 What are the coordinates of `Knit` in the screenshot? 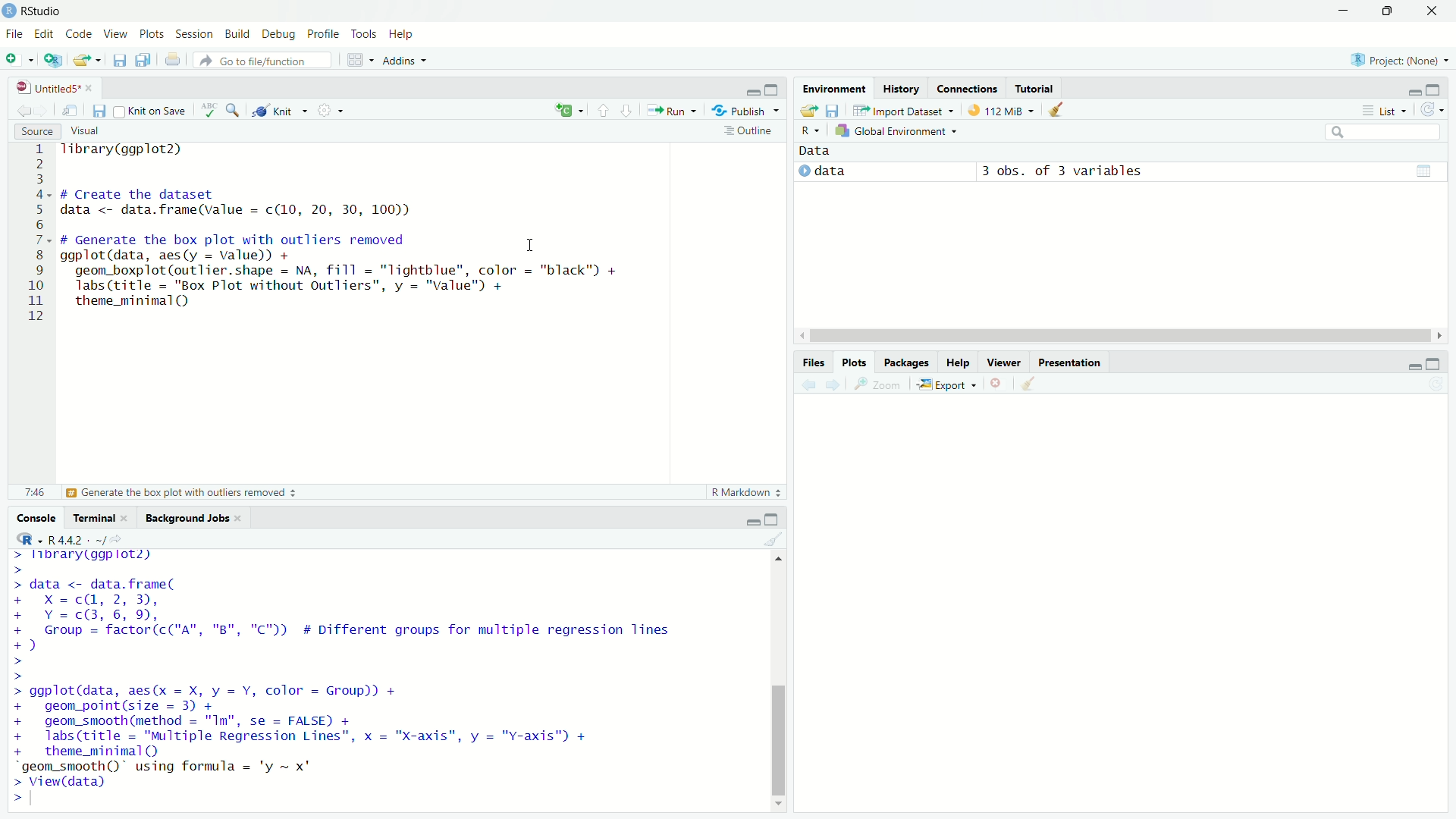 It's located at (273, 112).